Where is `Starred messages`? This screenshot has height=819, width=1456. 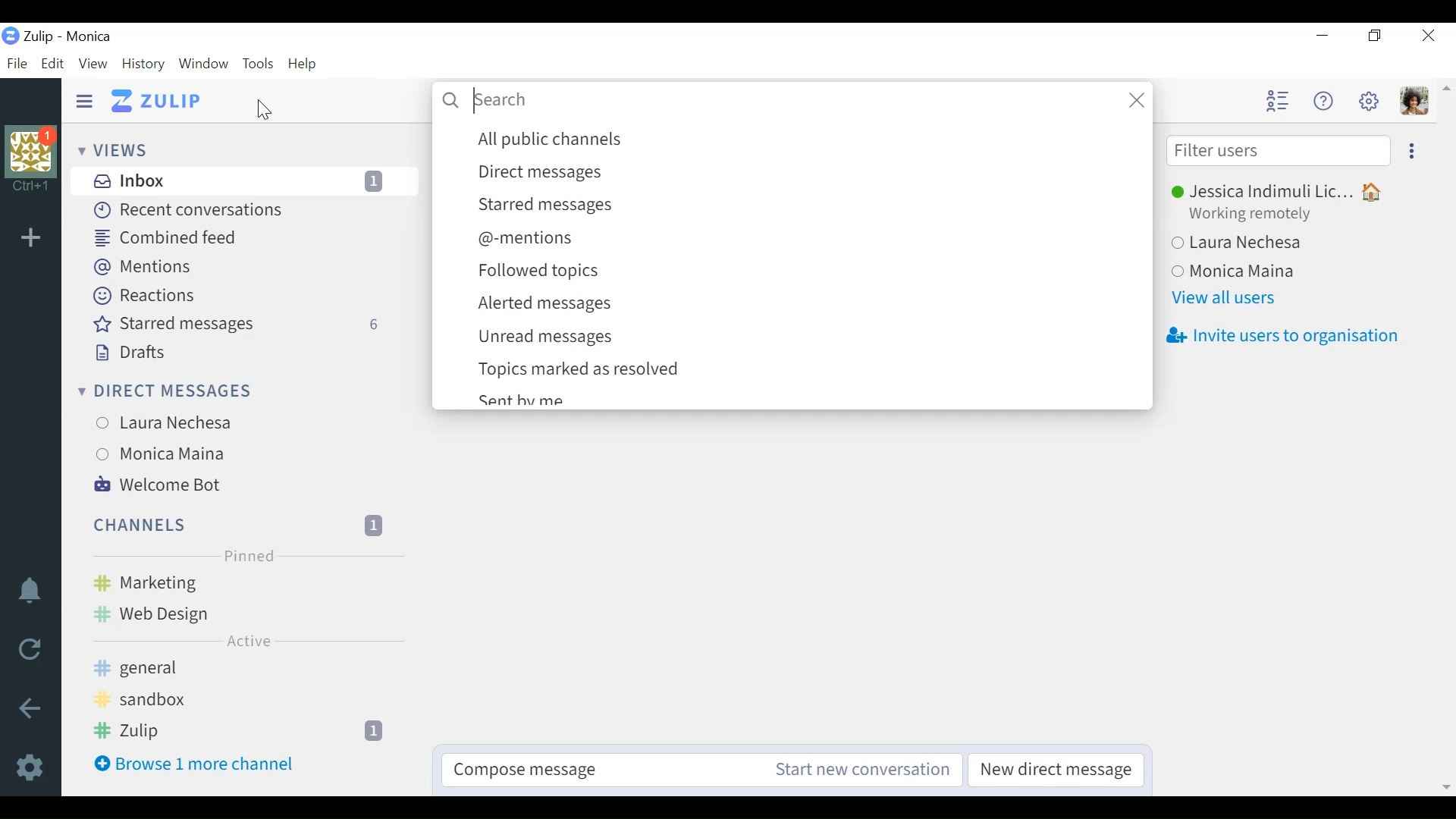
Starred messages is located at coordinates (238, 325).